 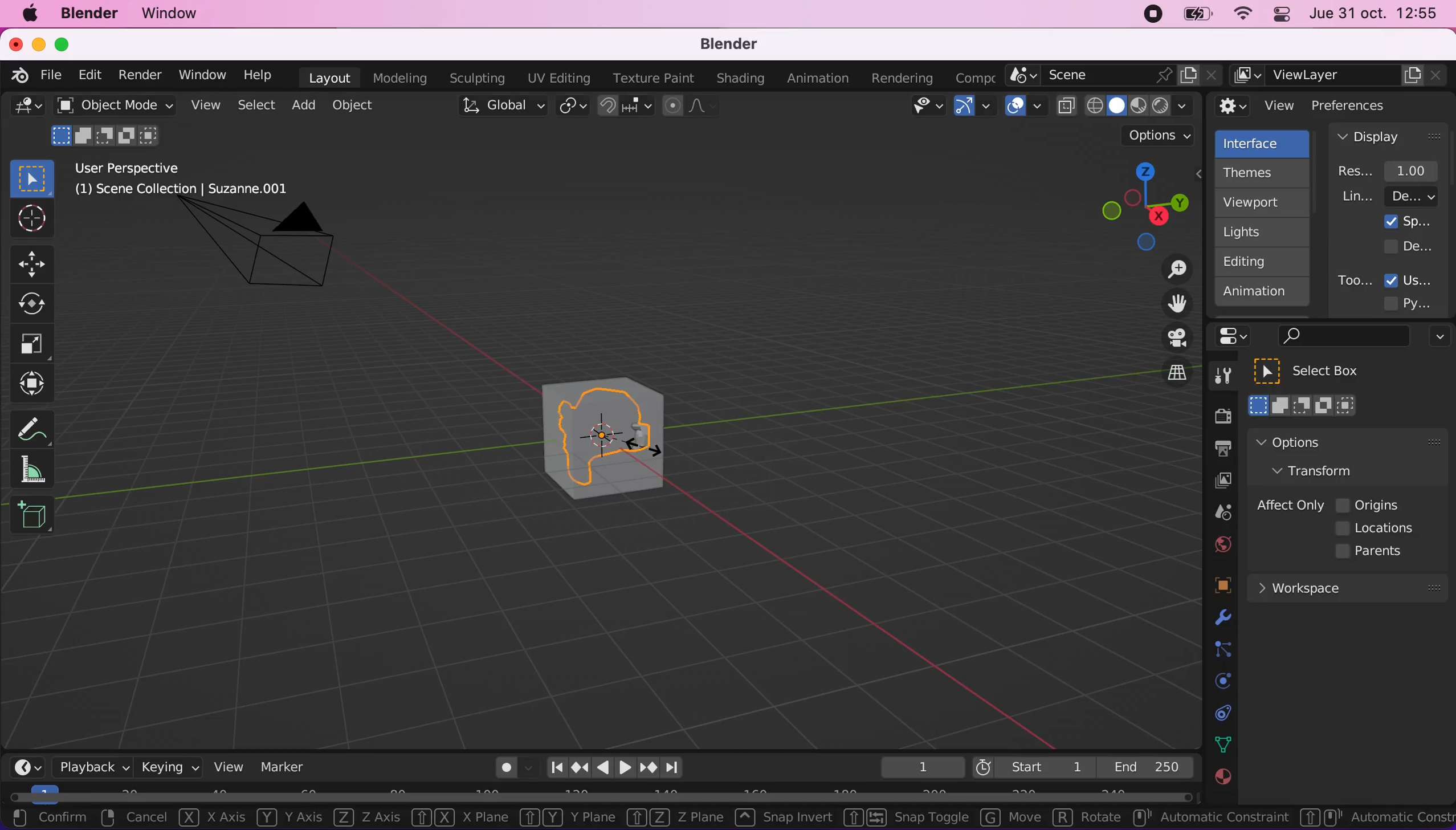 I want to click on objects, so click(x=1209, y=587).